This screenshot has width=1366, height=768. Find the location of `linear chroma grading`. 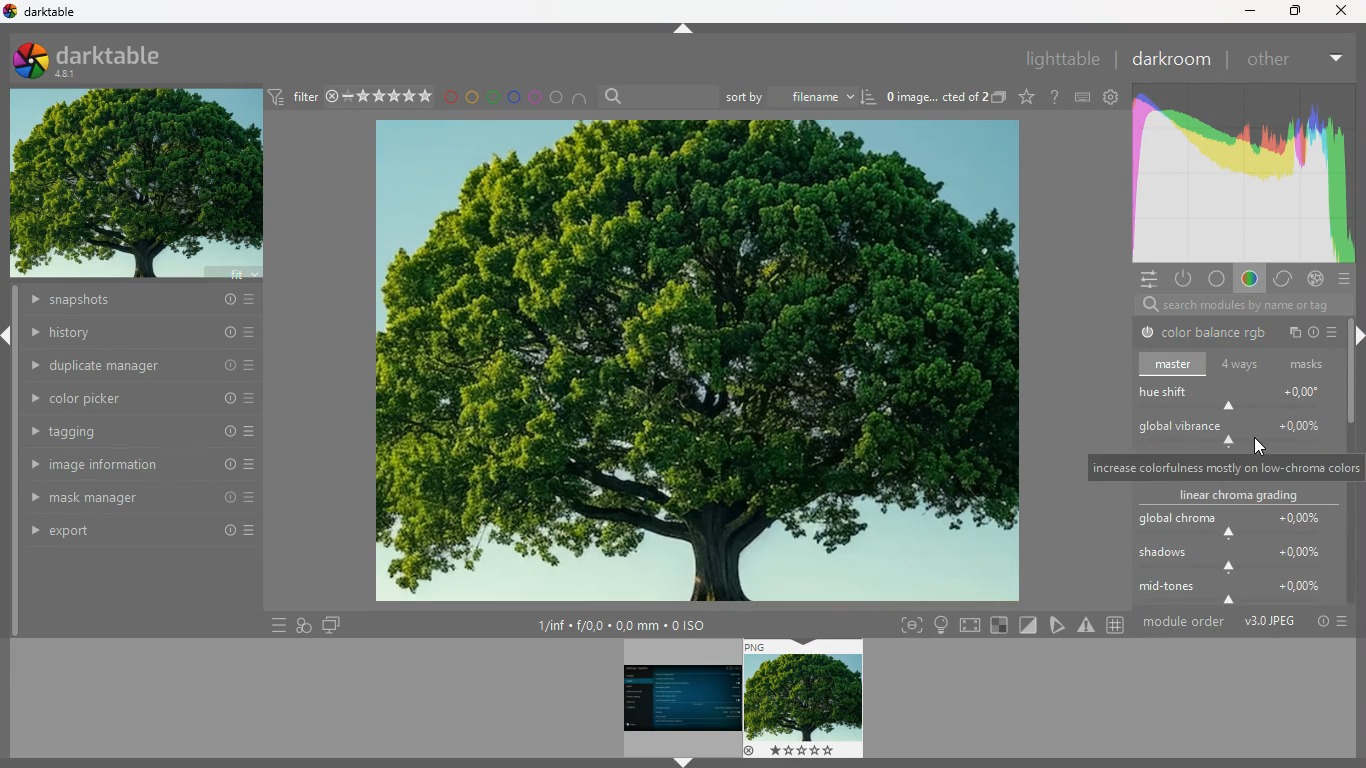

linear chroma grading is located at coordinates (1235, 496).